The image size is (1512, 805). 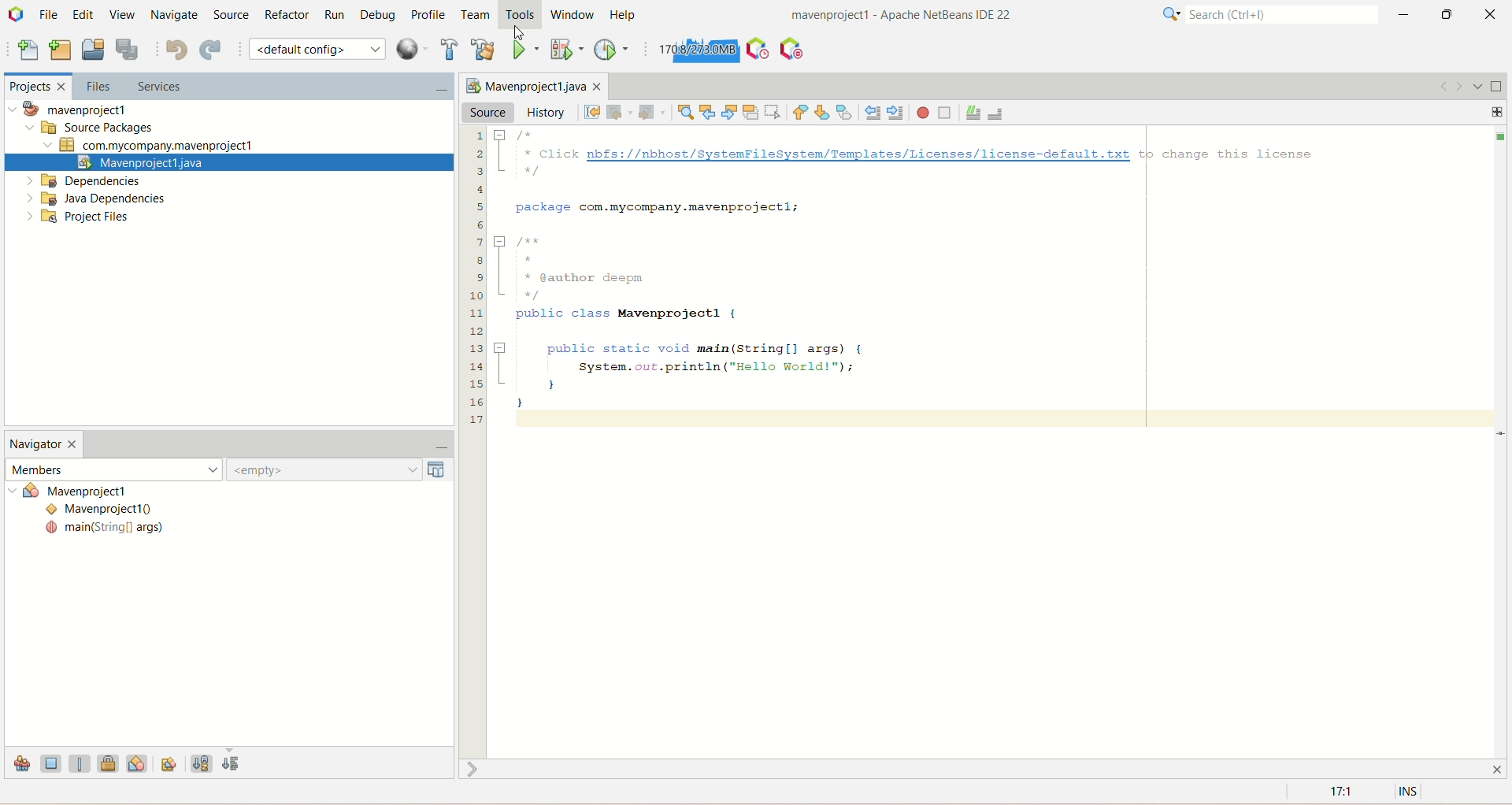 I want to click on next bookmark, so click(x=825, y=111).